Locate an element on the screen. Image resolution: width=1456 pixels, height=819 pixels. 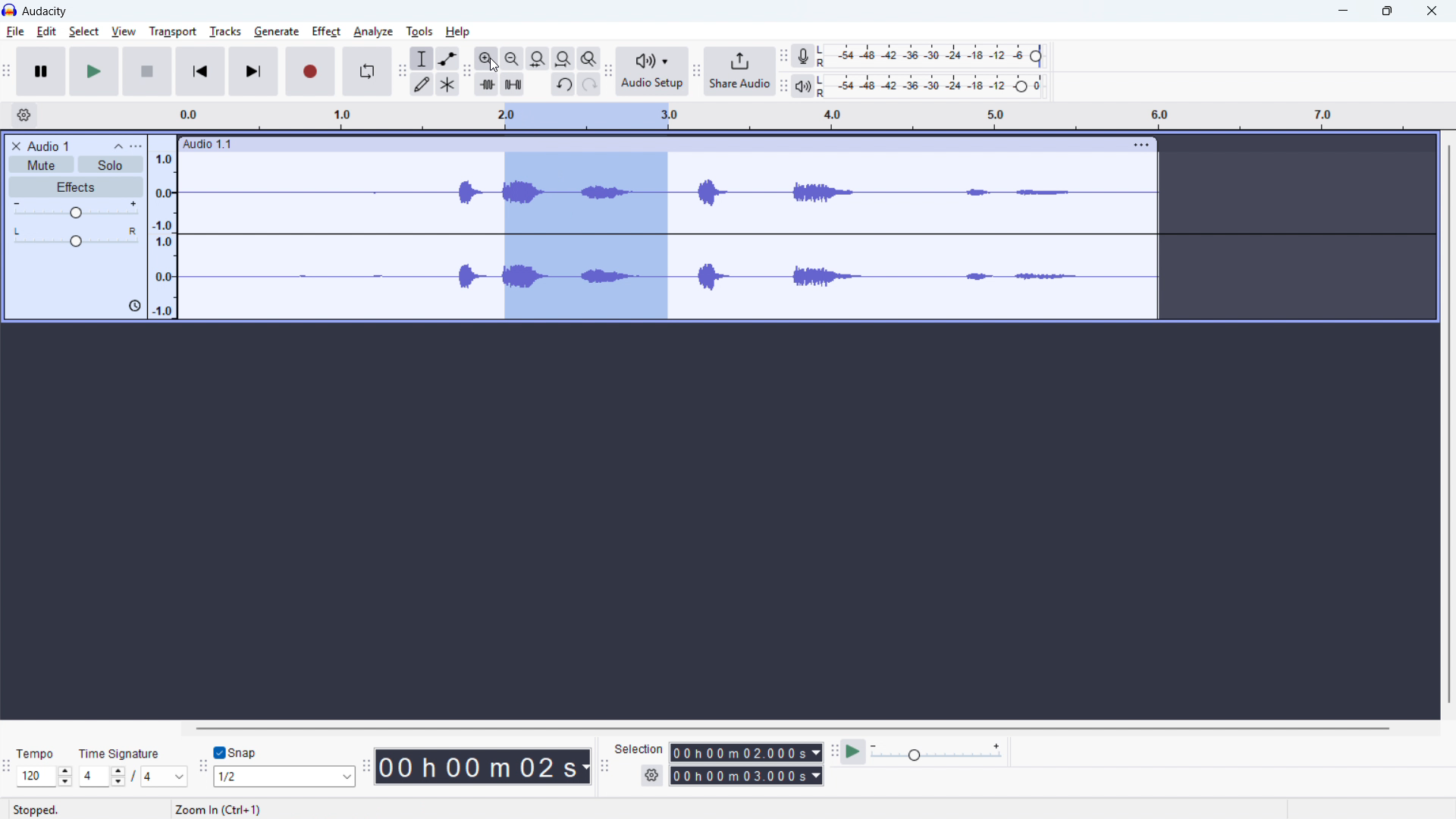
Silence audio selection is located at coordinates (512, 84).